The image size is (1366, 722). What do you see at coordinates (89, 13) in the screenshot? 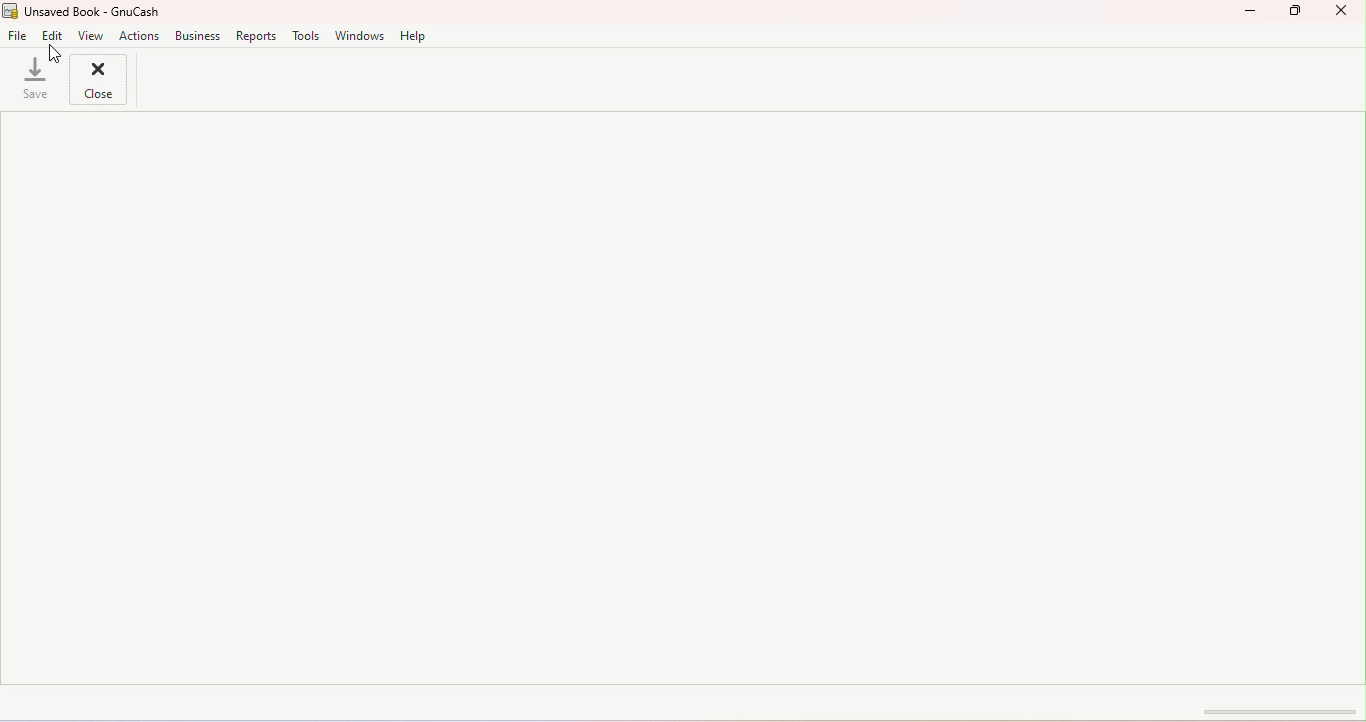
I see `File name` at bounding box center [89, 13].